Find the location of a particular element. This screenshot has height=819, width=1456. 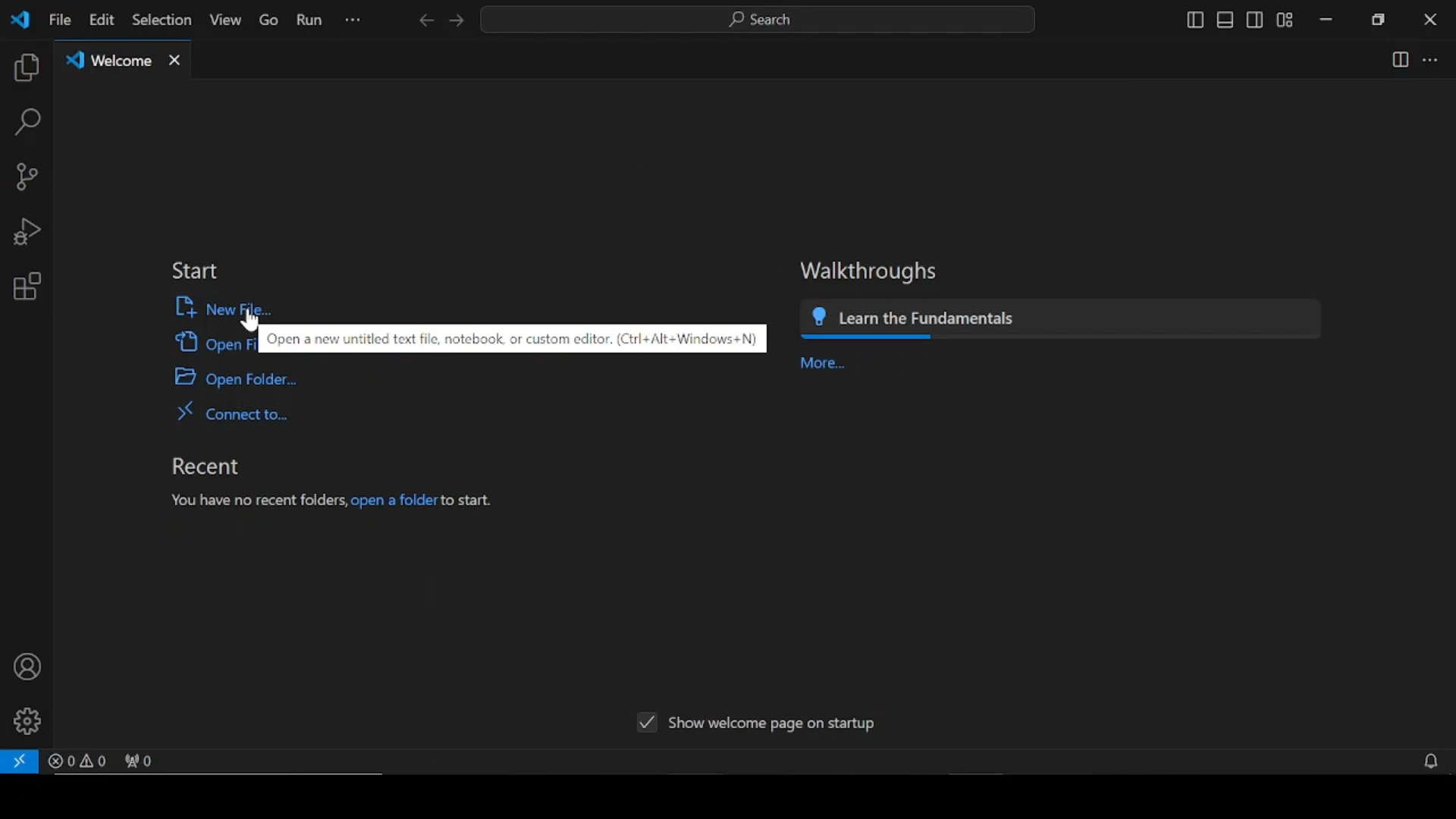

toggle primary sidebar is located at coordinates (1193, 20).